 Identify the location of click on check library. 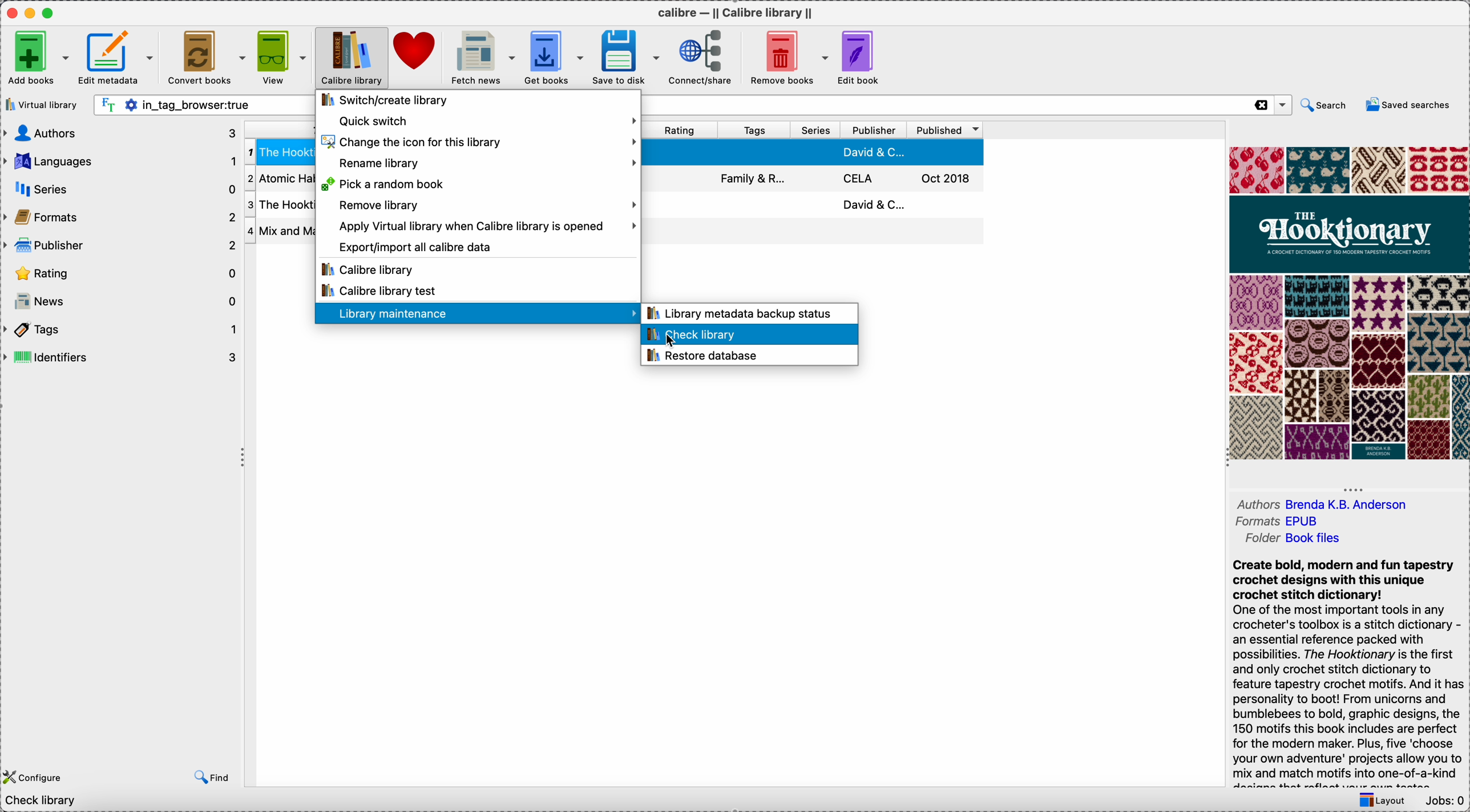
(748, 335).